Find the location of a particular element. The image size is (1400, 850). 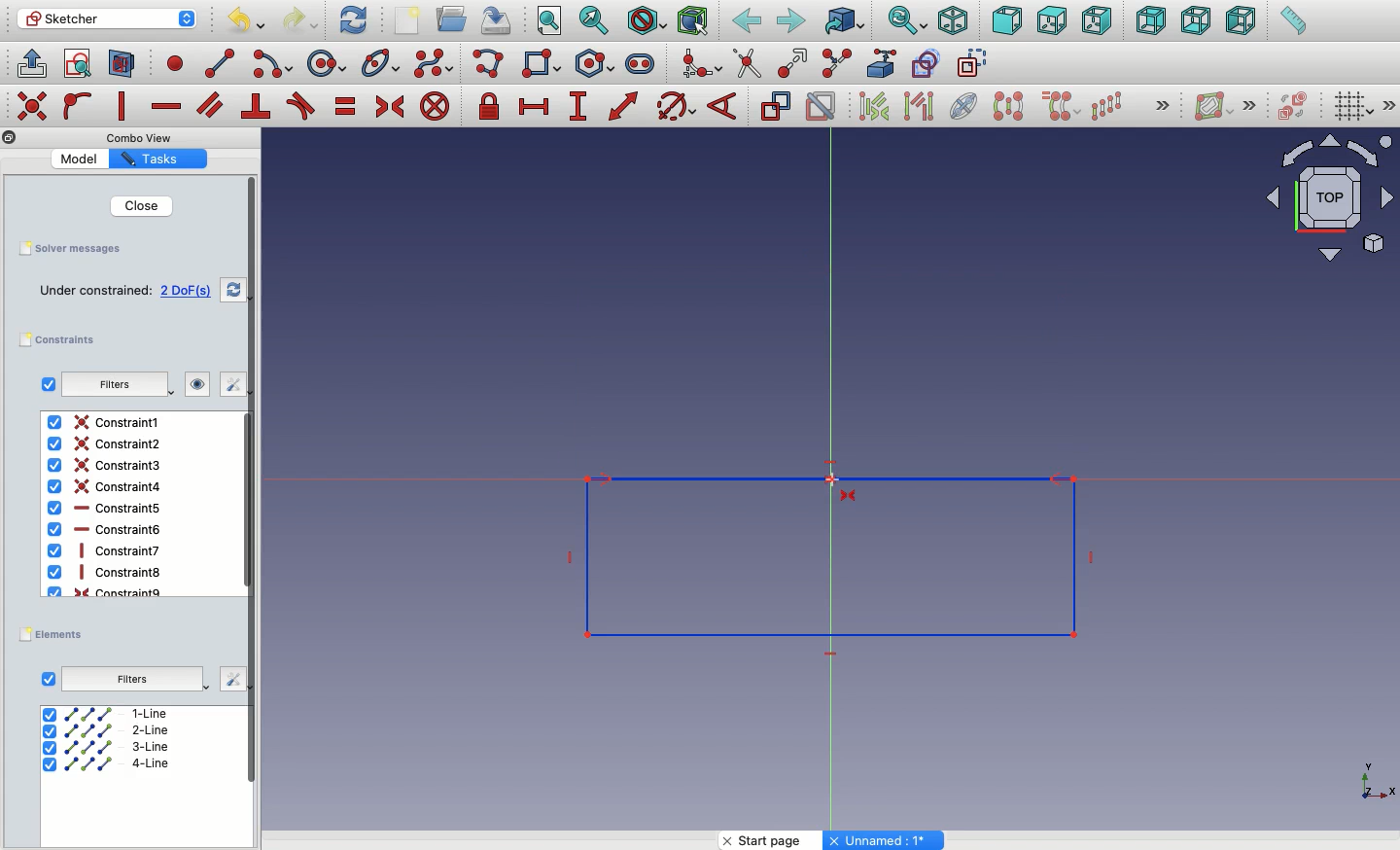

checkbox is located at coordinates (48, 384).